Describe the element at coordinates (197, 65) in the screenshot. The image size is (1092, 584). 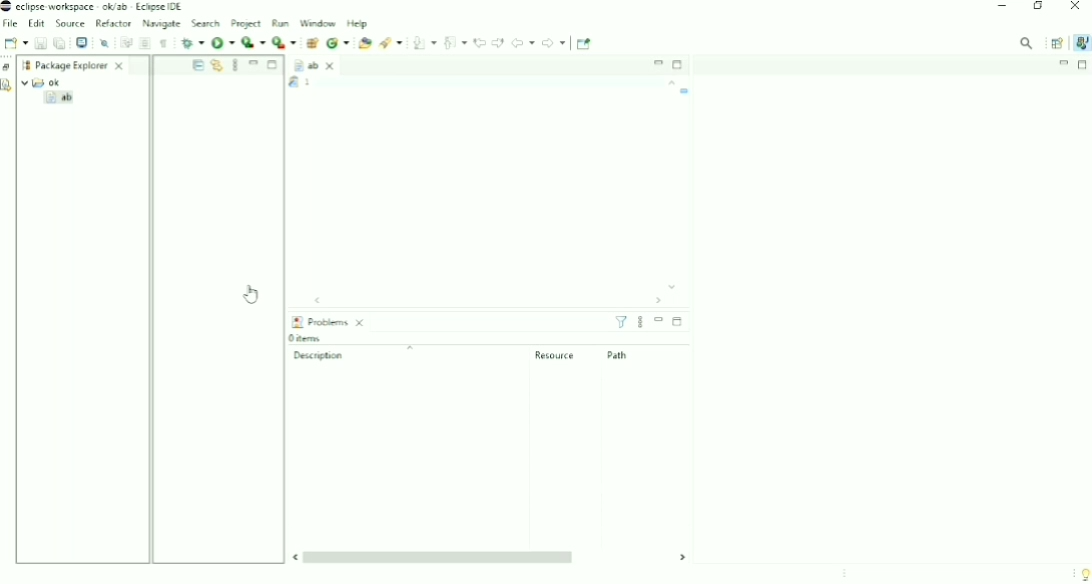
I see `Collapse All` at that location.